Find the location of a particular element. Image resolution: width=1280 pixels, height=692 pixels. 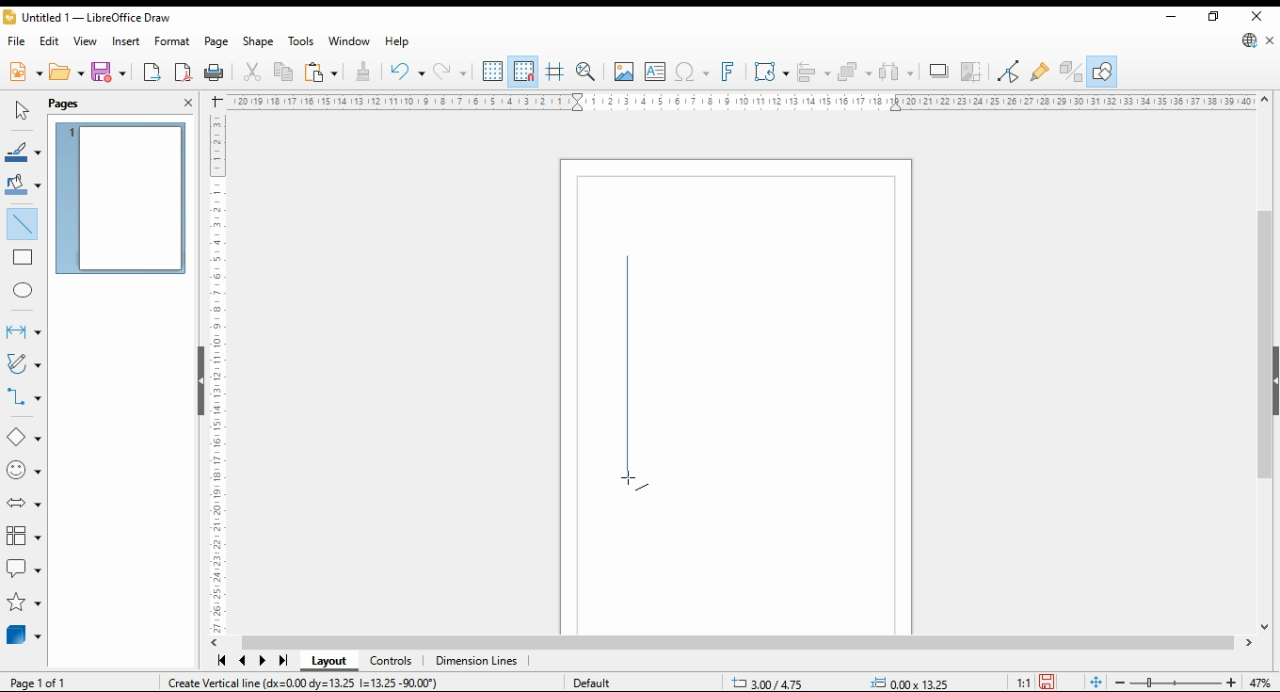

insert fontwork text is located at coordinates (728, 72).